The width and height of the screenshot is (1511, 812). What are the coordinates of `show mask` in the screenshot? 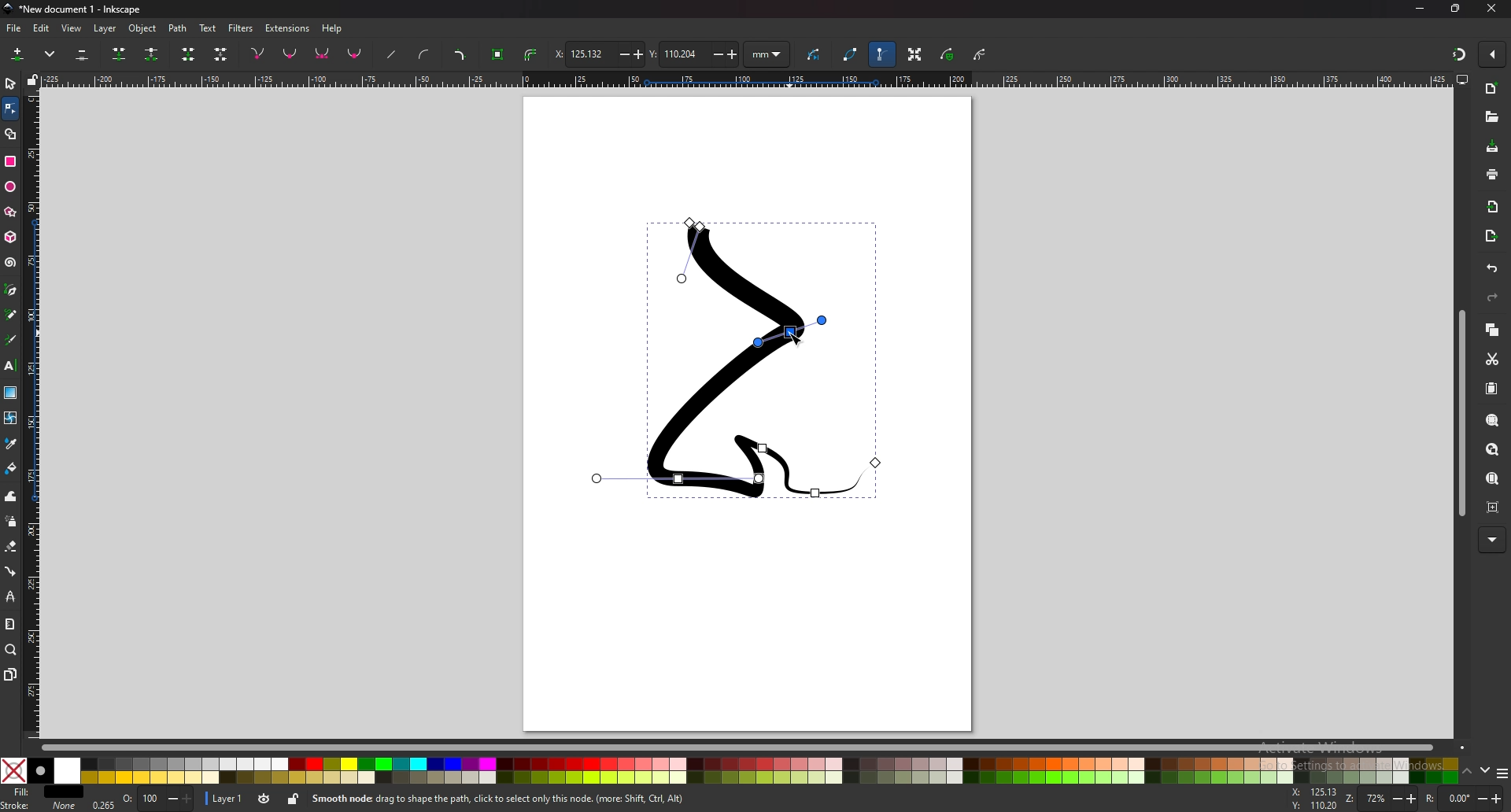 It's located at (948, 54).